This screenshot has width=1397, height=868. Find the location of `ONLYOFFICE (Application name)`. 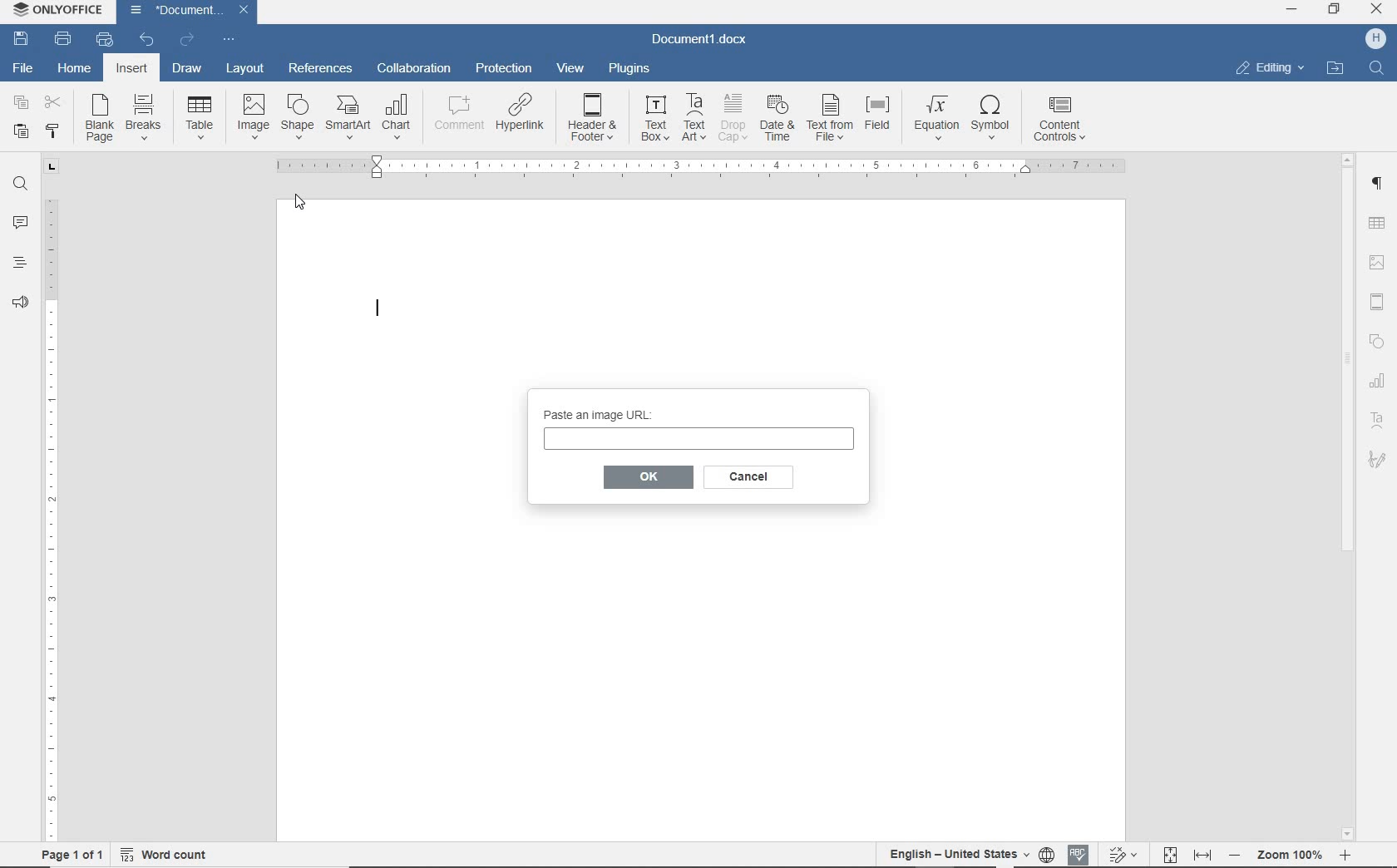

ONLYOFFICE (Application name) is located at coordinates (53, 11).